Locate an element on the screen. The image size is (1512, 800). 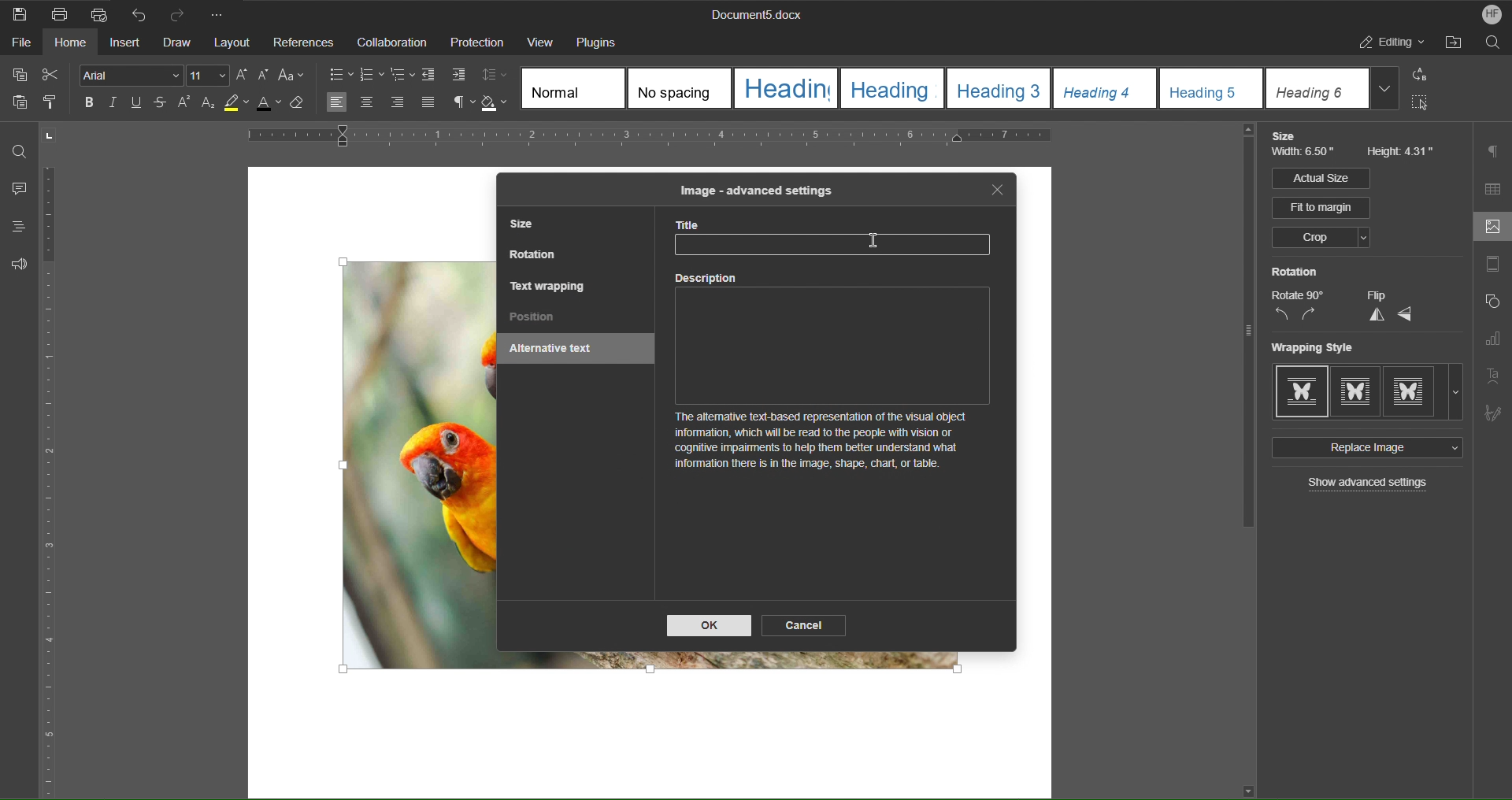
Replace Image is located at coordinates (1365, 448).